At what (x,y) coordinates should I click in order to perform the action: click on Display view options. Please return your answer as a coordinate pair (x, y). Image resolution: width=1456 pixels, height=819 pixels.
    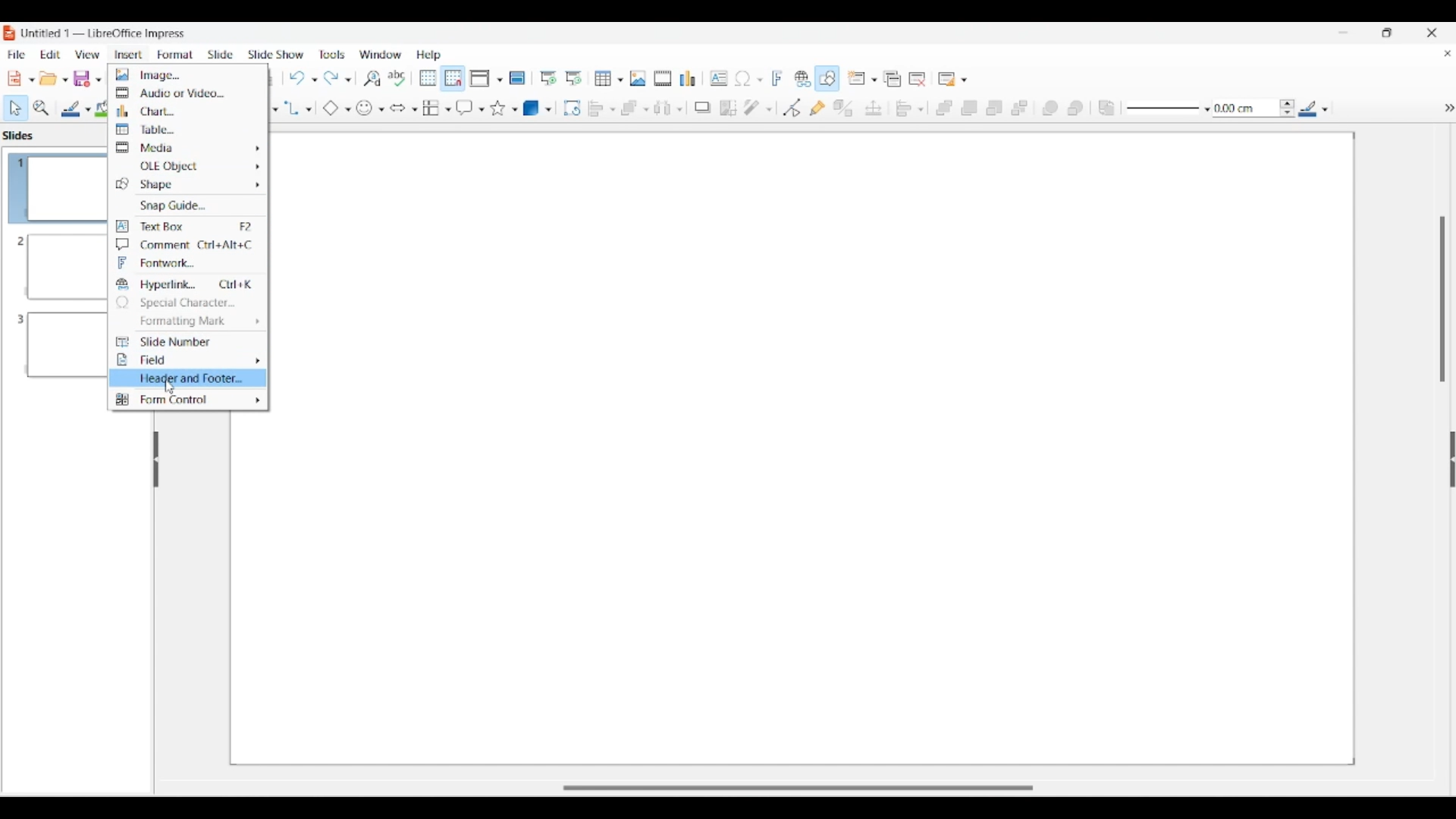
    Looking at the image, I should click on (487, 78).